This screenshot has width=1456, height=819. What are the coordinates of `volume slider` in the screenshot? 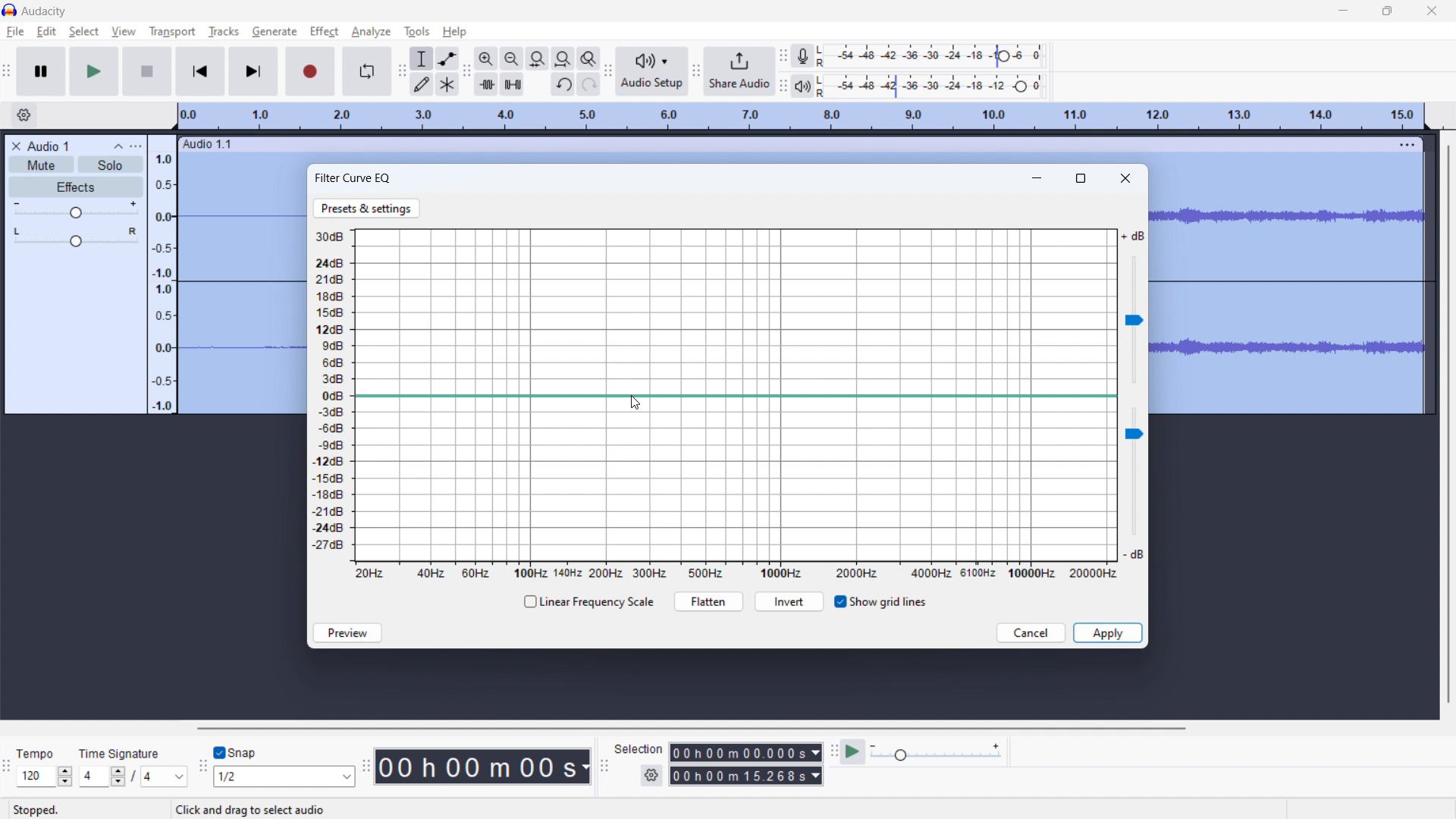 It's located at (1132, 486).